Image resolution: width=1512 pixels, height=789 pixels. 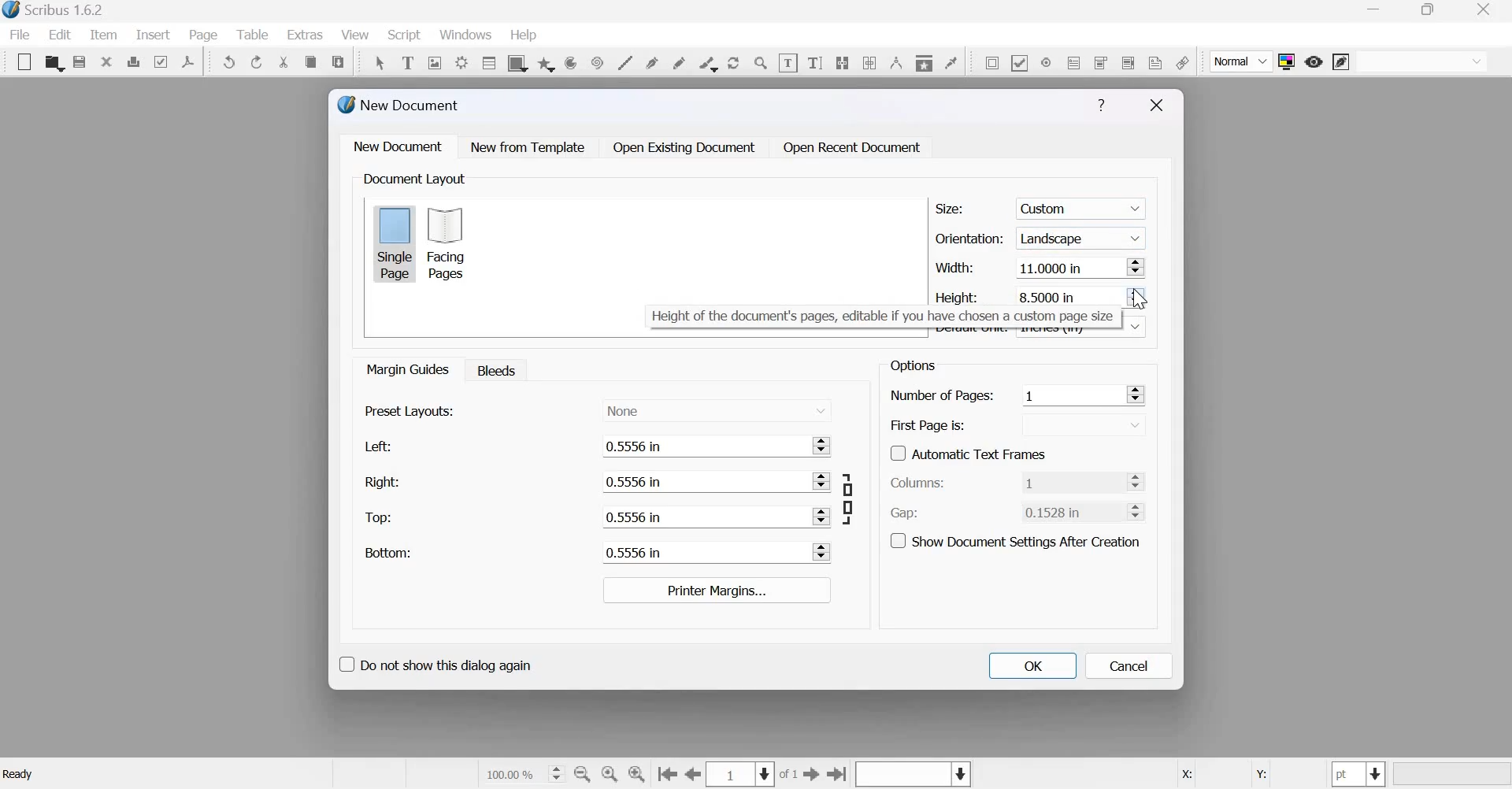 I want to click on freehand line, so click(x=679, y=61).